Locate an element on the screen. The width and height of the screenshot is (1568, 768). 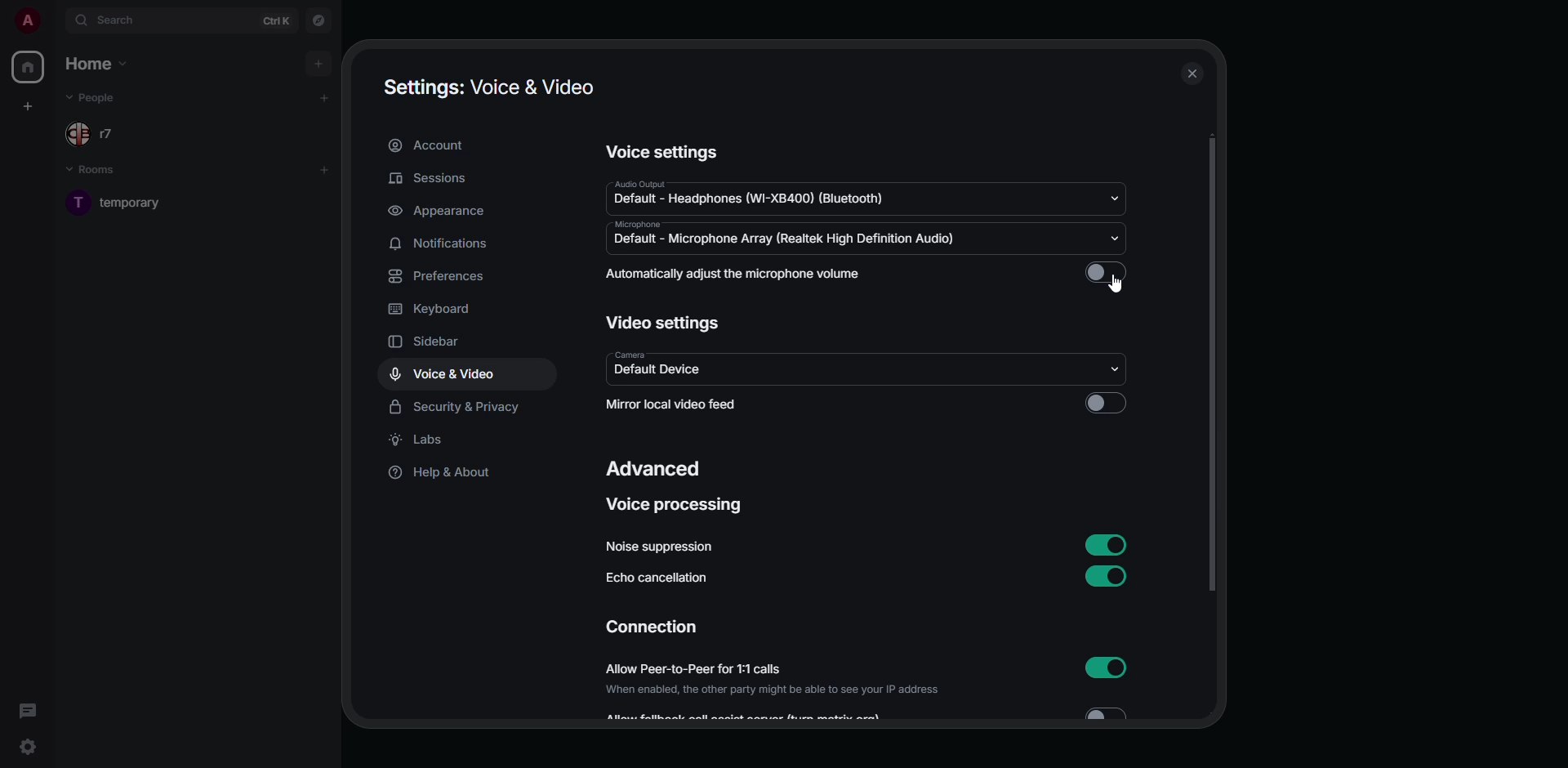
sessions is located at coordinates (430, 178).